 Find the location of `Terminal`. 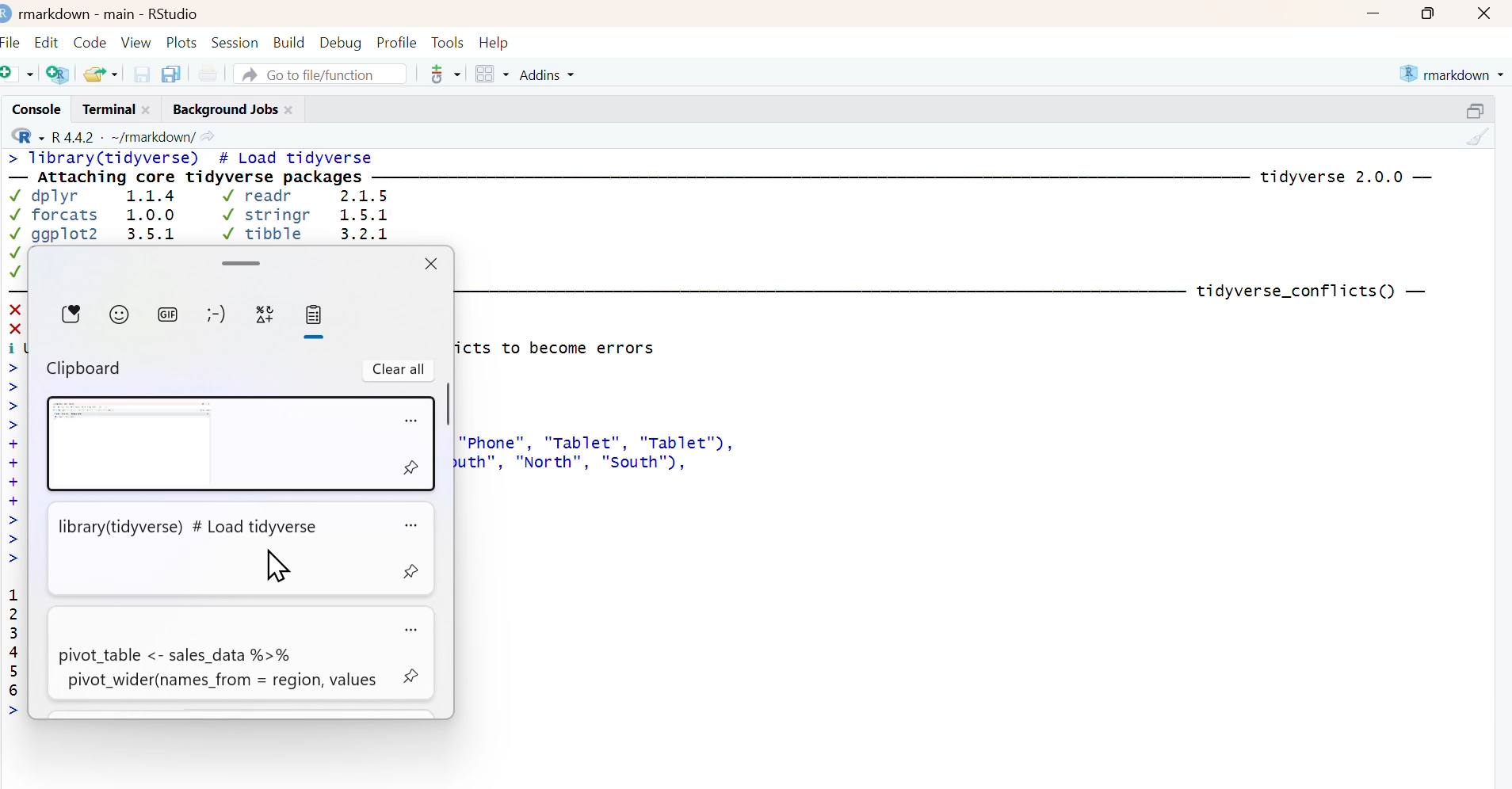

Terminal is located at coordinates (105, 109).